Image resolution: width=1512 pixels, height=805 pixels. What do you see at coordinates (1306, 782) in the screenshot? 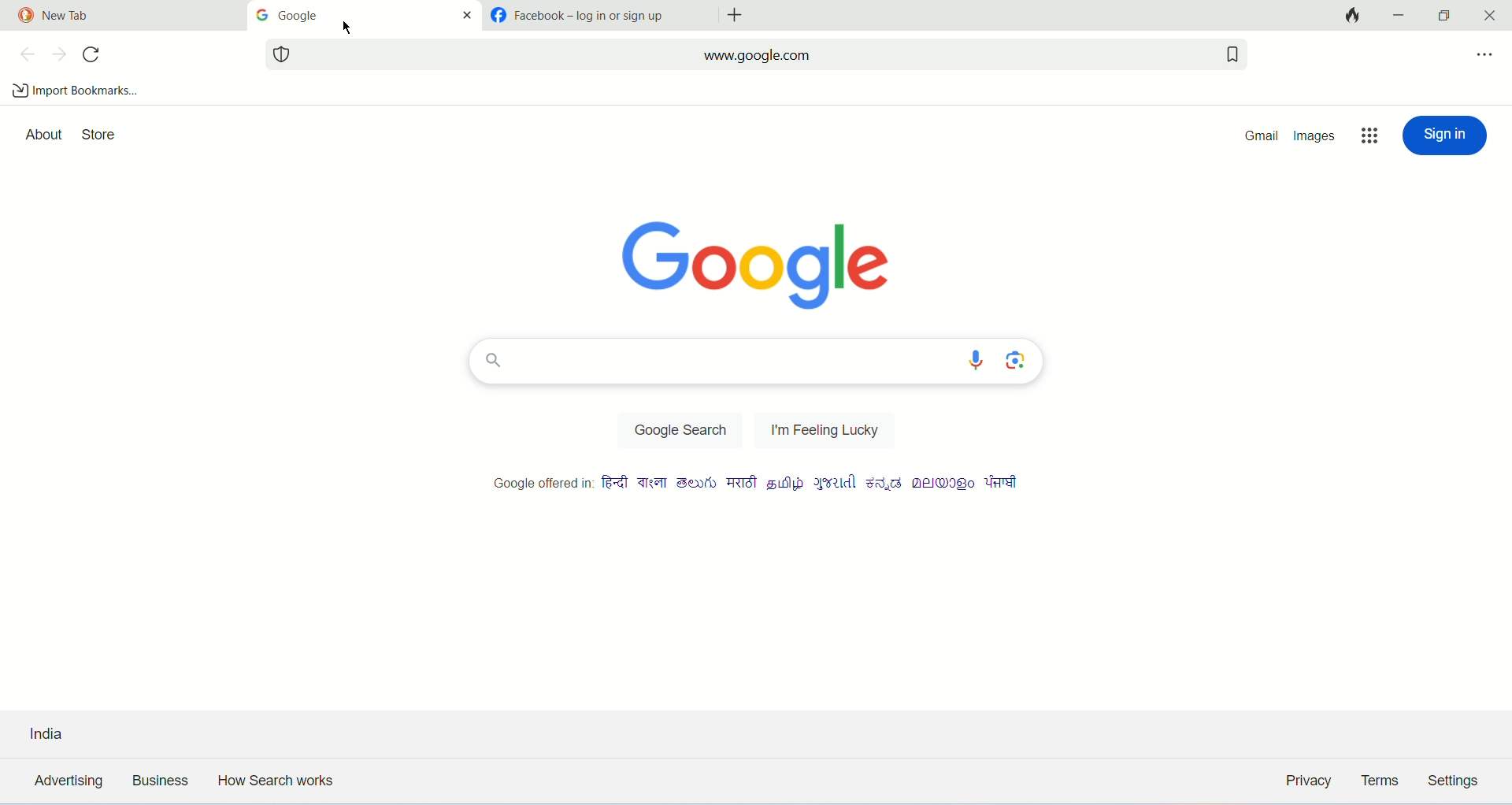
I see `privacy` at bounding box center [1306, 782].